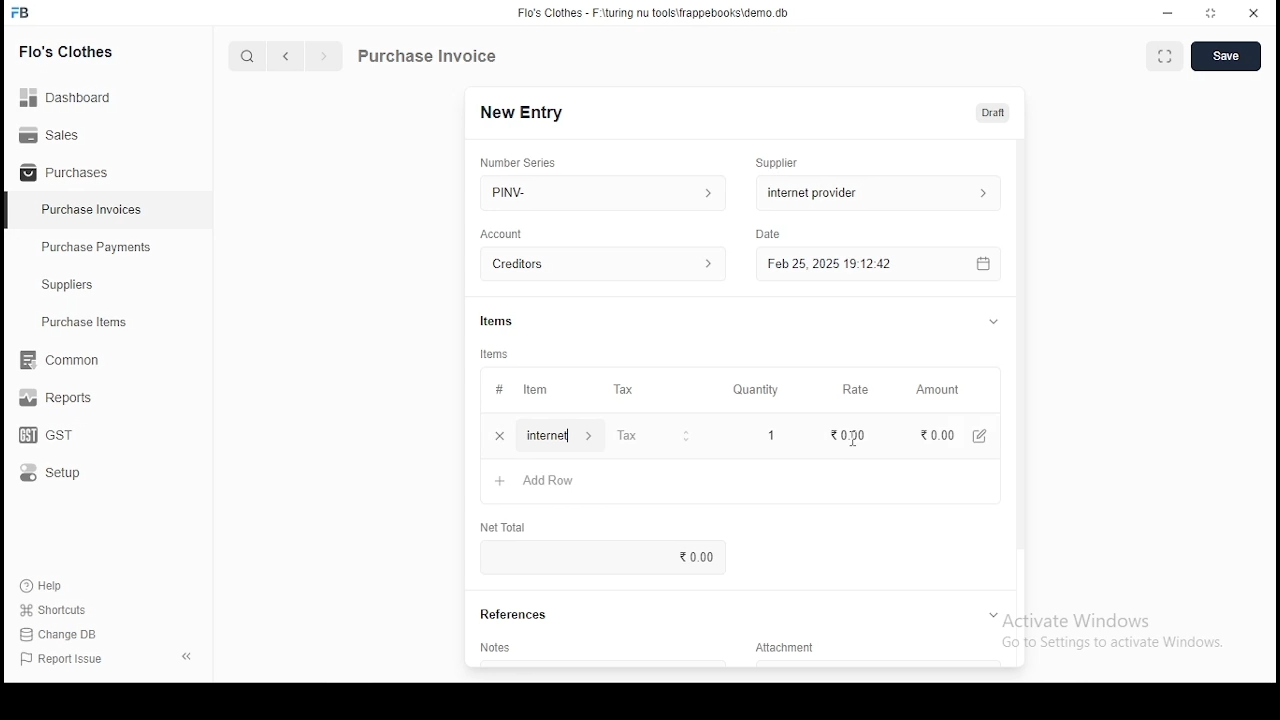 The width and height of the screenshot is (1280, 720). Describe the element at coordinates (627, 438) in the screenshot. I see `tax` at that location.